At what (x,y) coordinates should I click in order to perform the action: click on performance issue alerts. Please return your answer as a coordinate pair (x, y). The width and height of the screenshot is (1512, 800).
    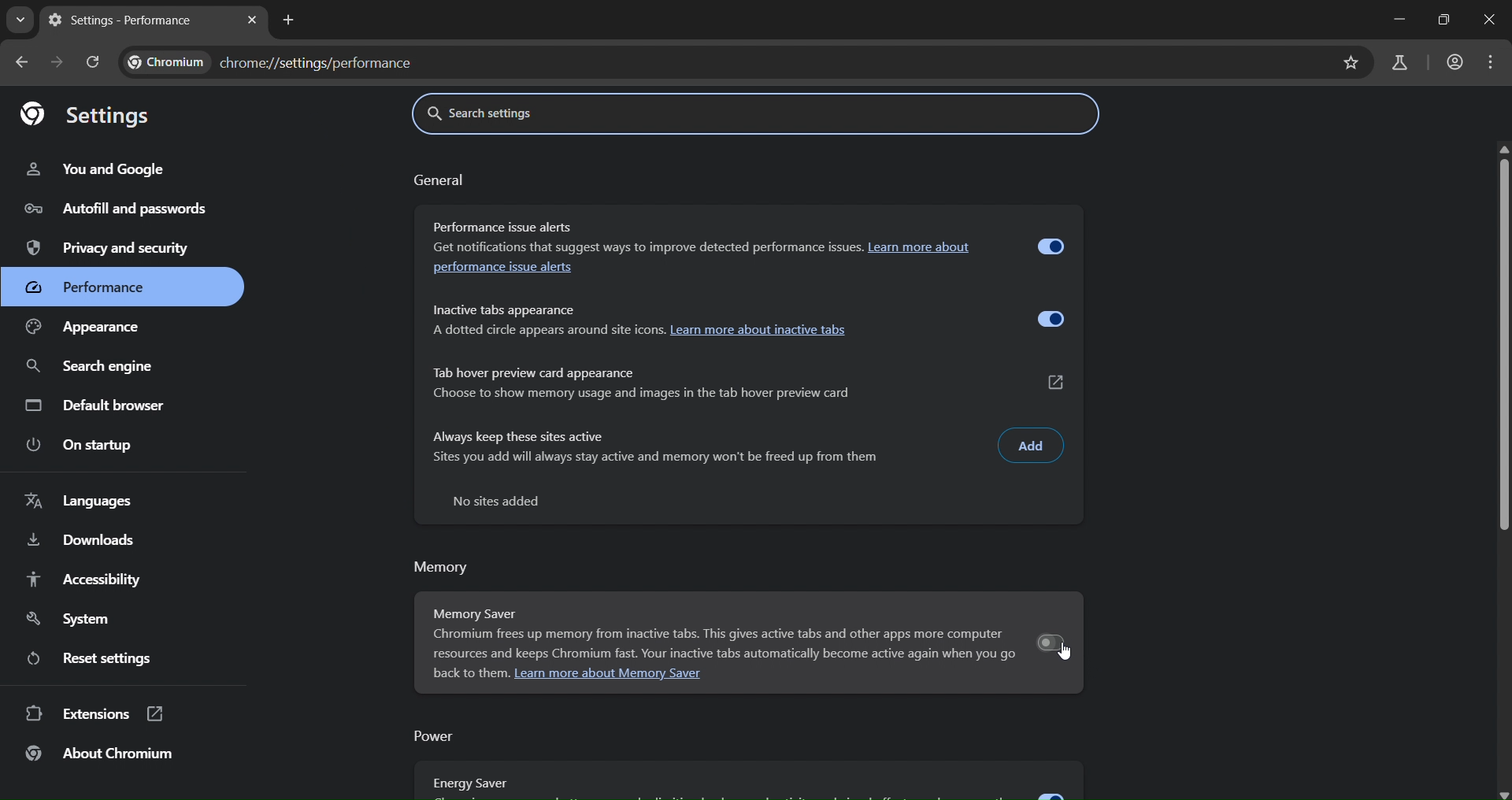
    Looking at the image, I should click on (507, 269).